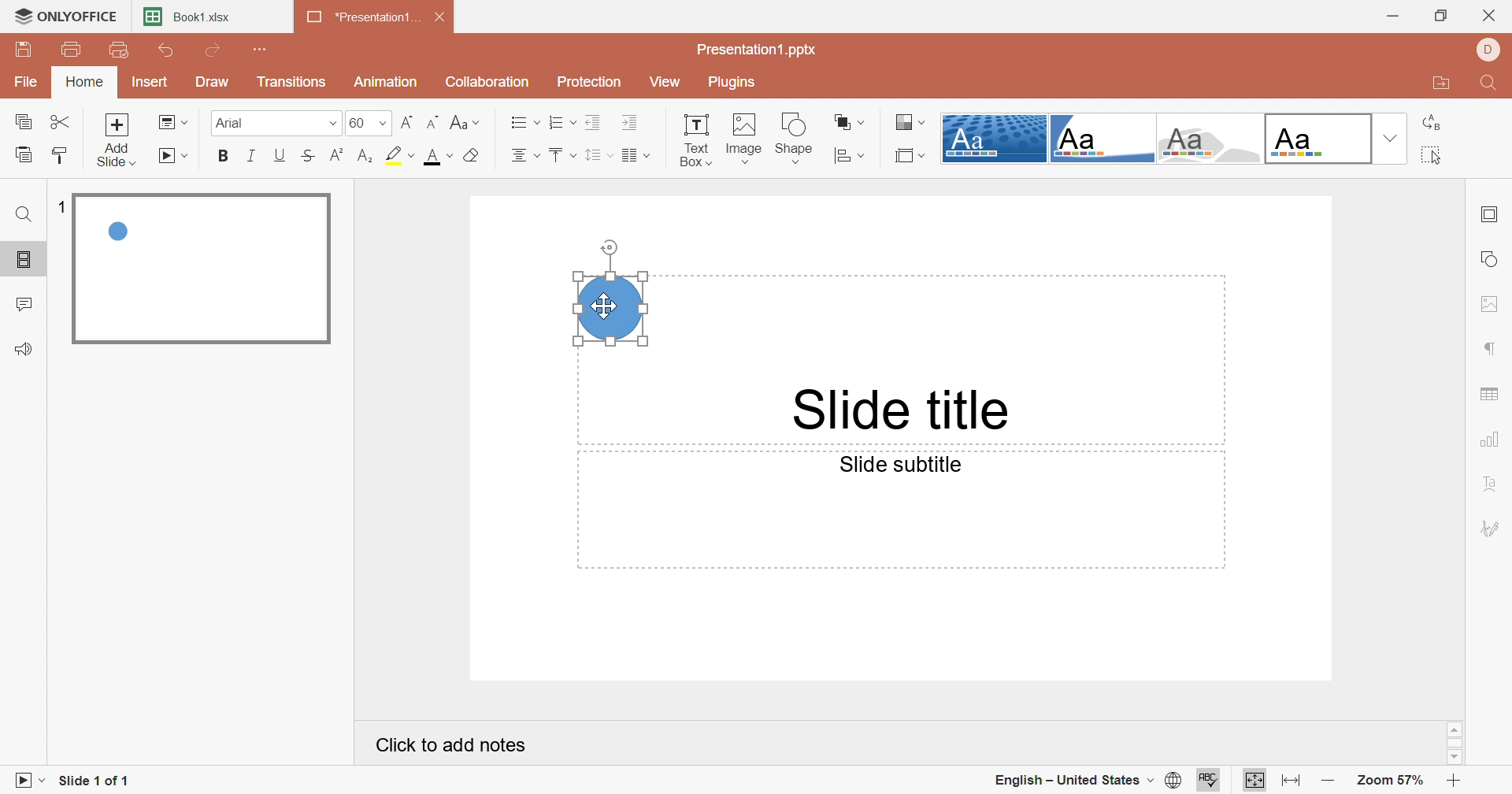 Image resolution: width=1512 pixels, height=794 pixels. What do you see at coordinates (1437, 84) in the screenshot?
I see `Open file location` at bounding box center [1437, 84].